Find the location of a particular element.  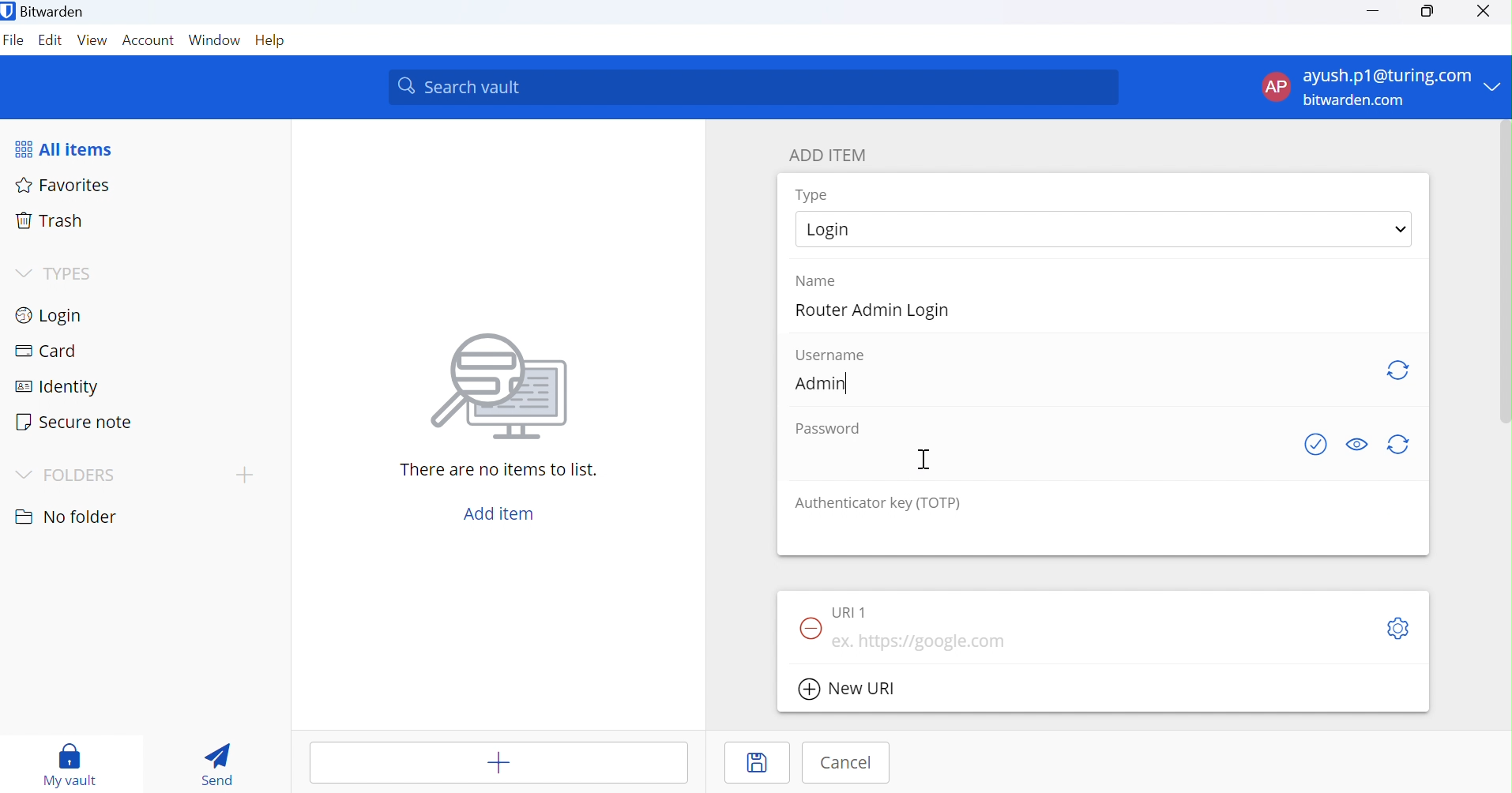

No folder is located at coordinates (65, 513).